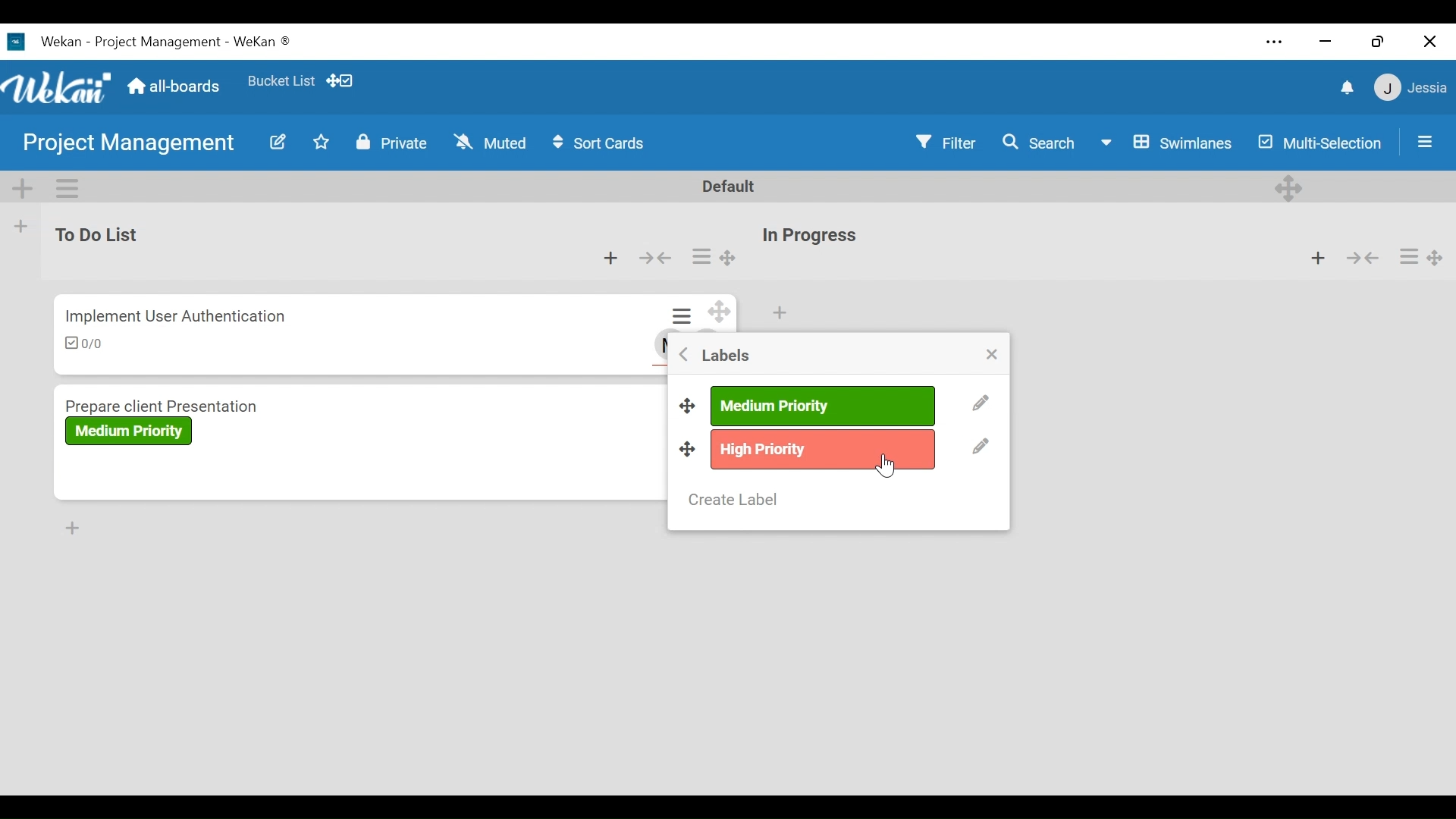 This screenshot has height=819, width=1456. I want to click on Back, so click(684, 353).